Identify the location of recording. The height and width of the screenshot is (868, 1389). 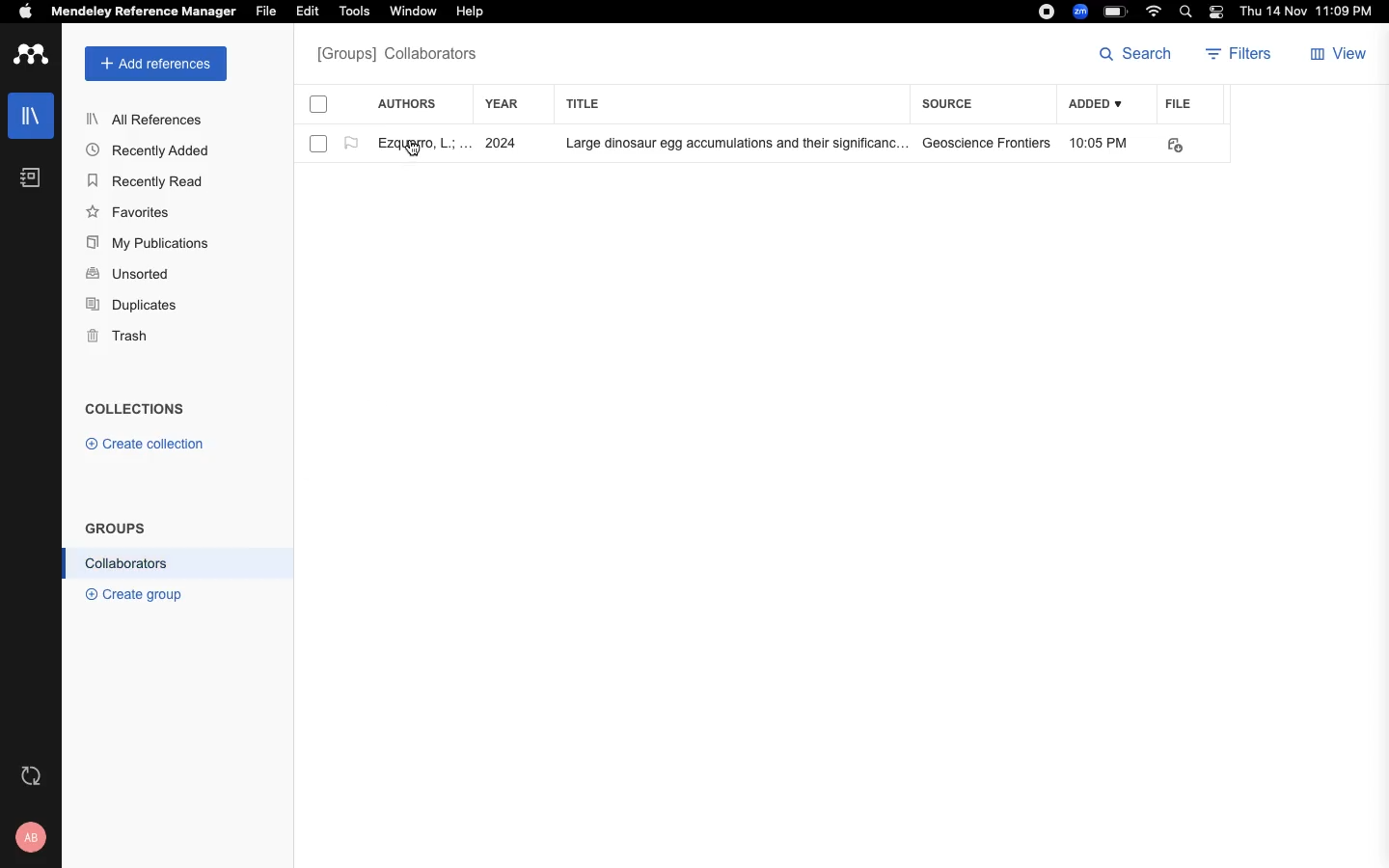
(1044, 13).